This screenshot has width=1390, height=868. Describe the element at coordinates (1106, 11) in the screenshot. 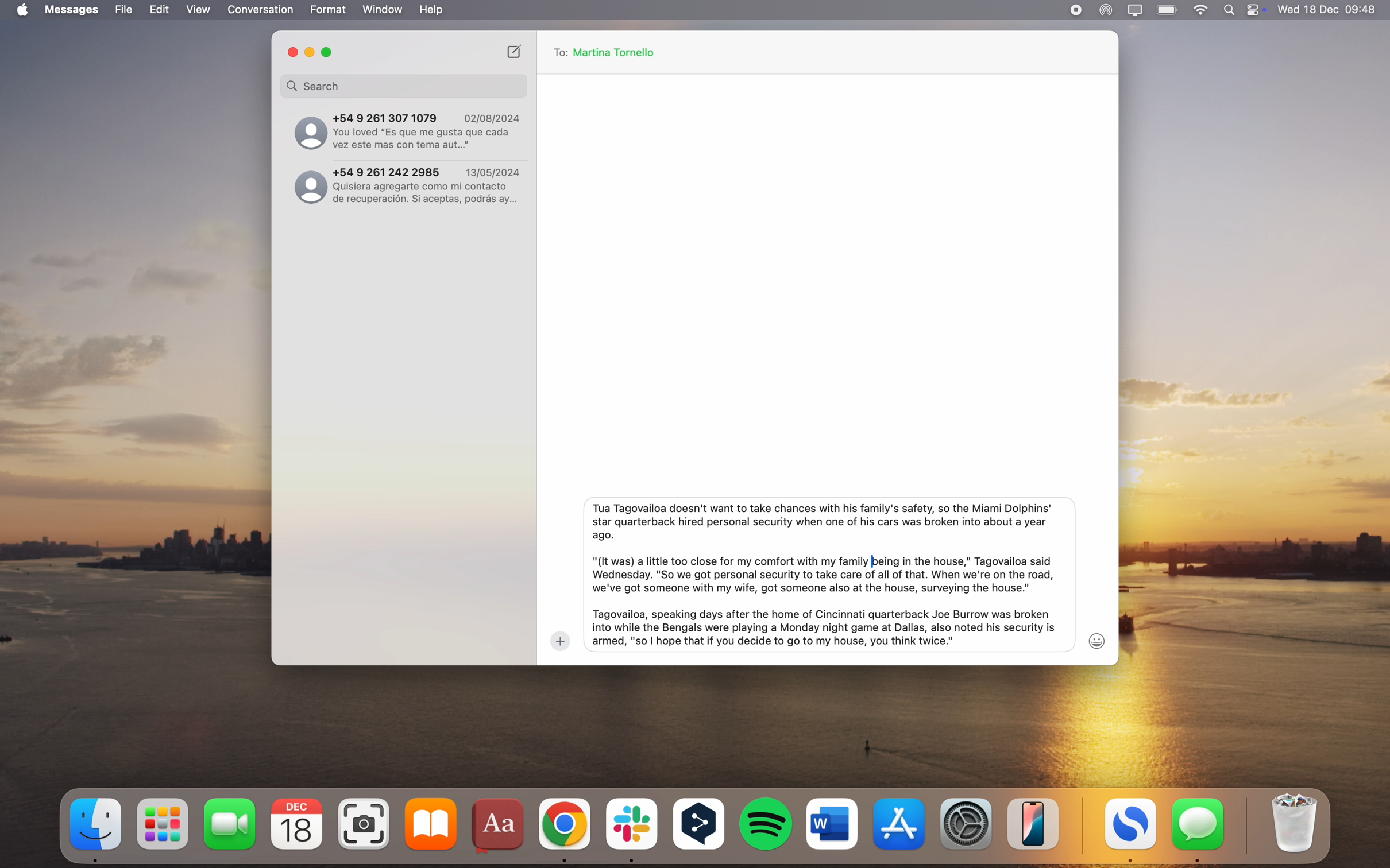

I see `Airdrop` at that location.